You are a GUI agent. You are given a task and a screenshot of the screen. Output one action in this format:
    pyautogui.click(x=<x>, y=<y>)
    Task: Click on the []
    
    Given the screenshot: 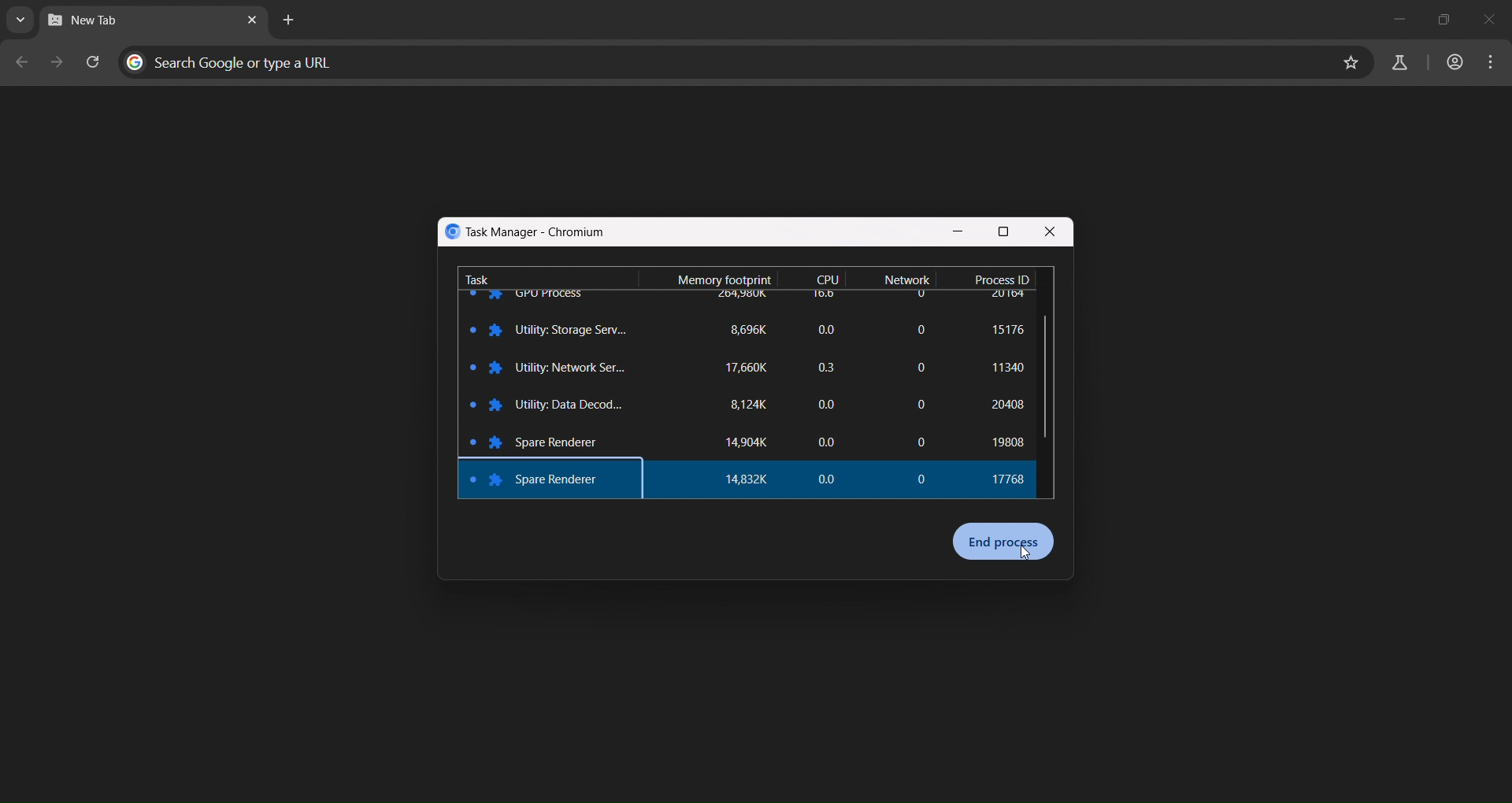 What is the action you would take?
    pyautogui.click(x=918, y=405)
    